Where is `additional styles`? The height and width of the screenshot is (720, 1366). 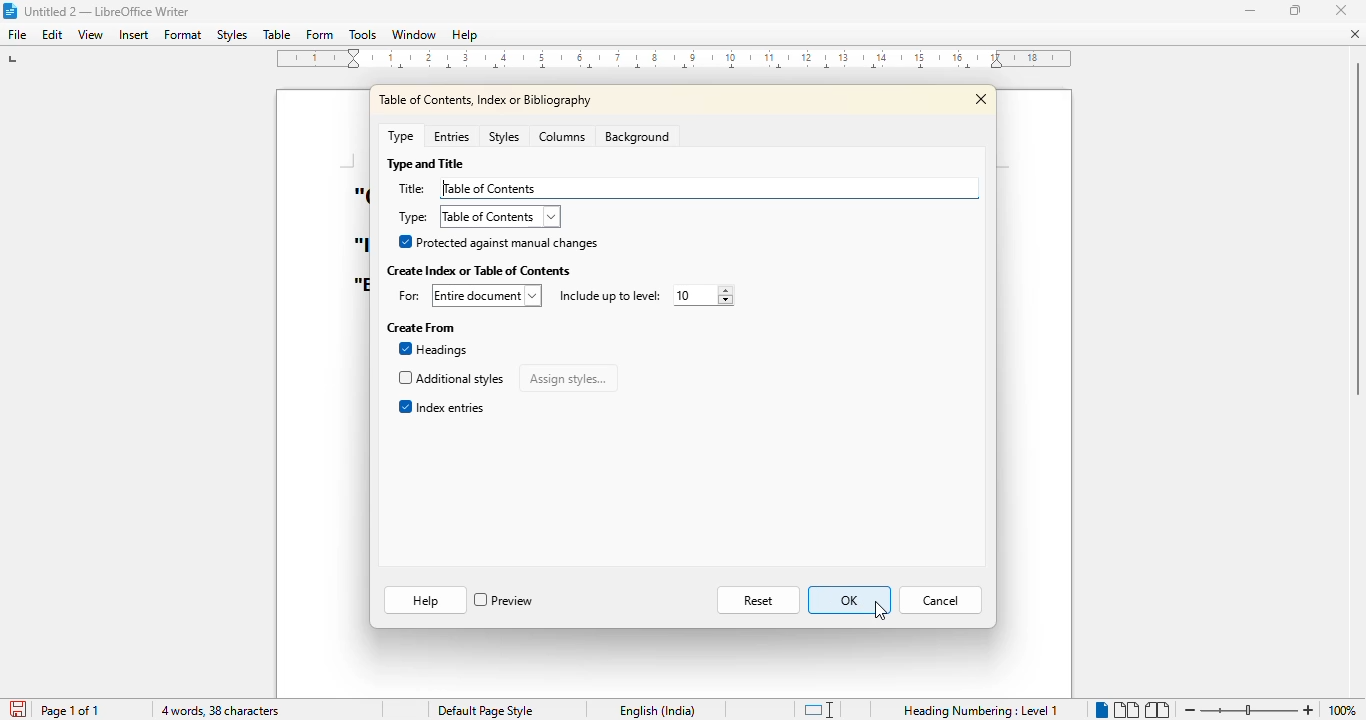
additional styles is located at coordinates (450, 378).